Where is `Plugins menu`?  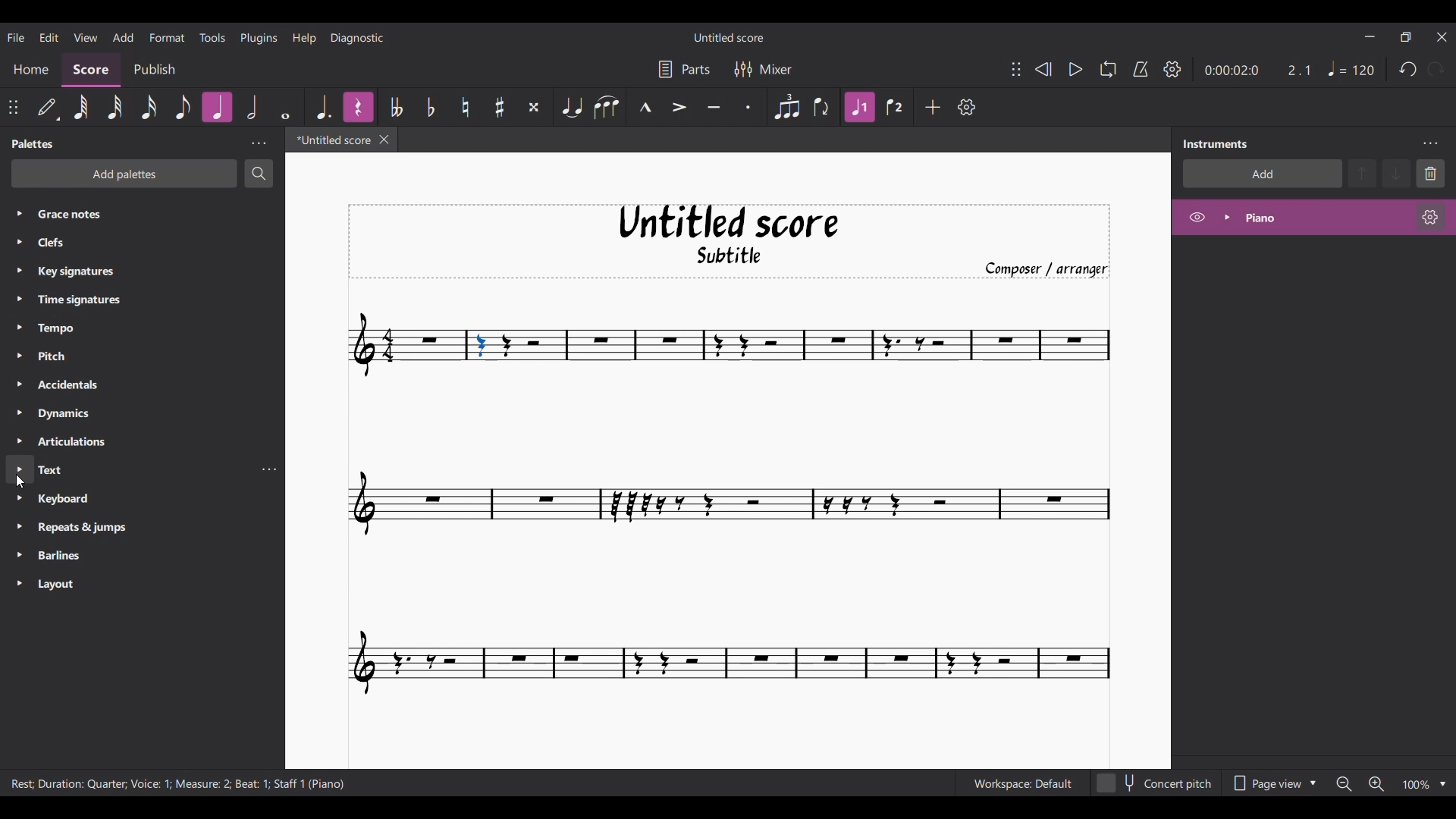
Plugins menu is located at coordinates (259, 38).